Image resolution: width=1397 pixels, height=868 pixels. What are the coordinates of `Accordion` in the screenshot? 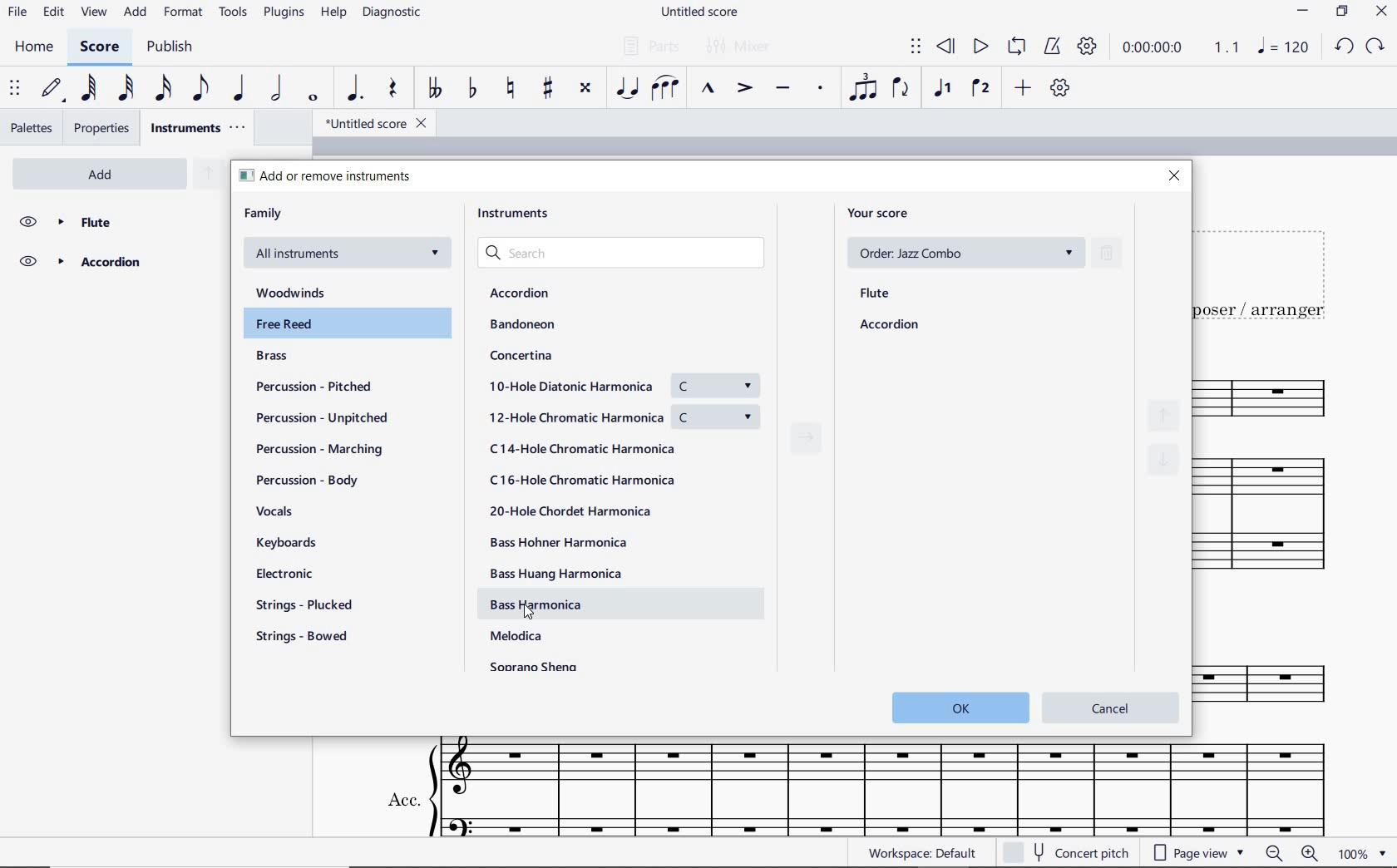 It's located at (114, 263).